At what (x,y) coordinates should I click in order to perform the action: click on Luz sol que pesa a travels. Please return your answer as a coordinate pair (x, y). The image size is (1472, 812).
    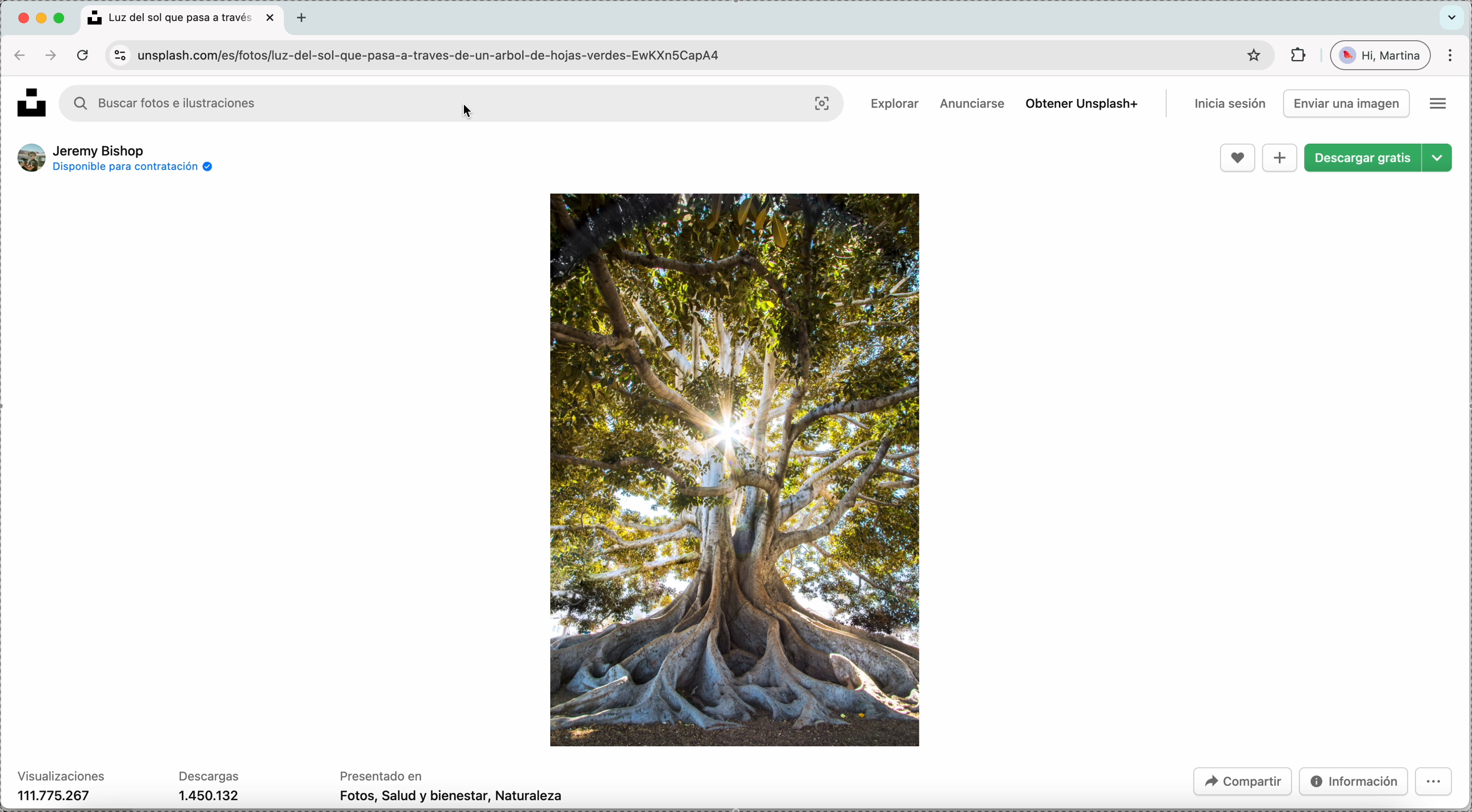
    Looking at the image, I should click on (173, 16).